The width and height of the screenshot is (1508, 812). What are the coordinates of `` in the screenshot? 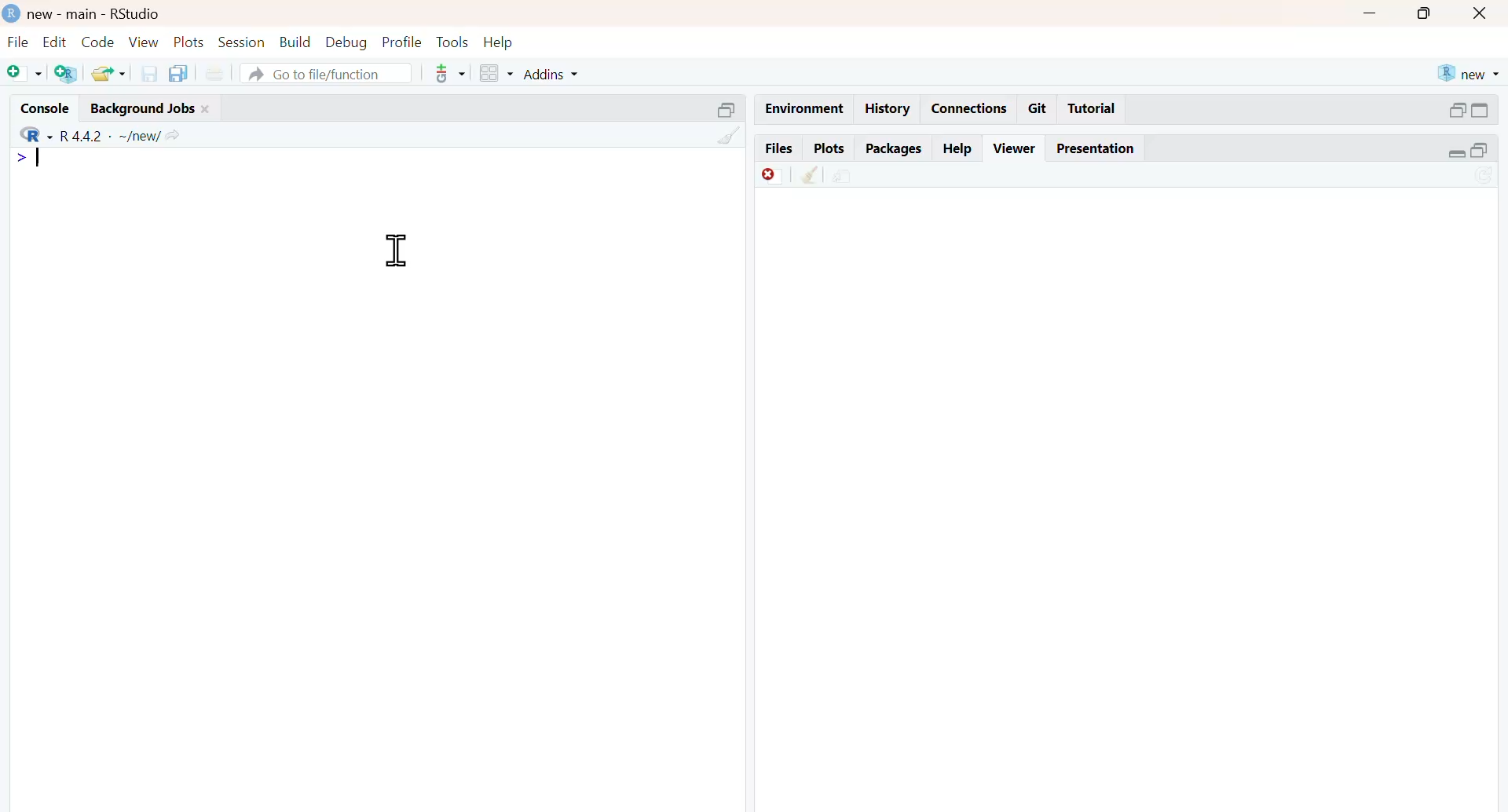 It's located at (727, 110).